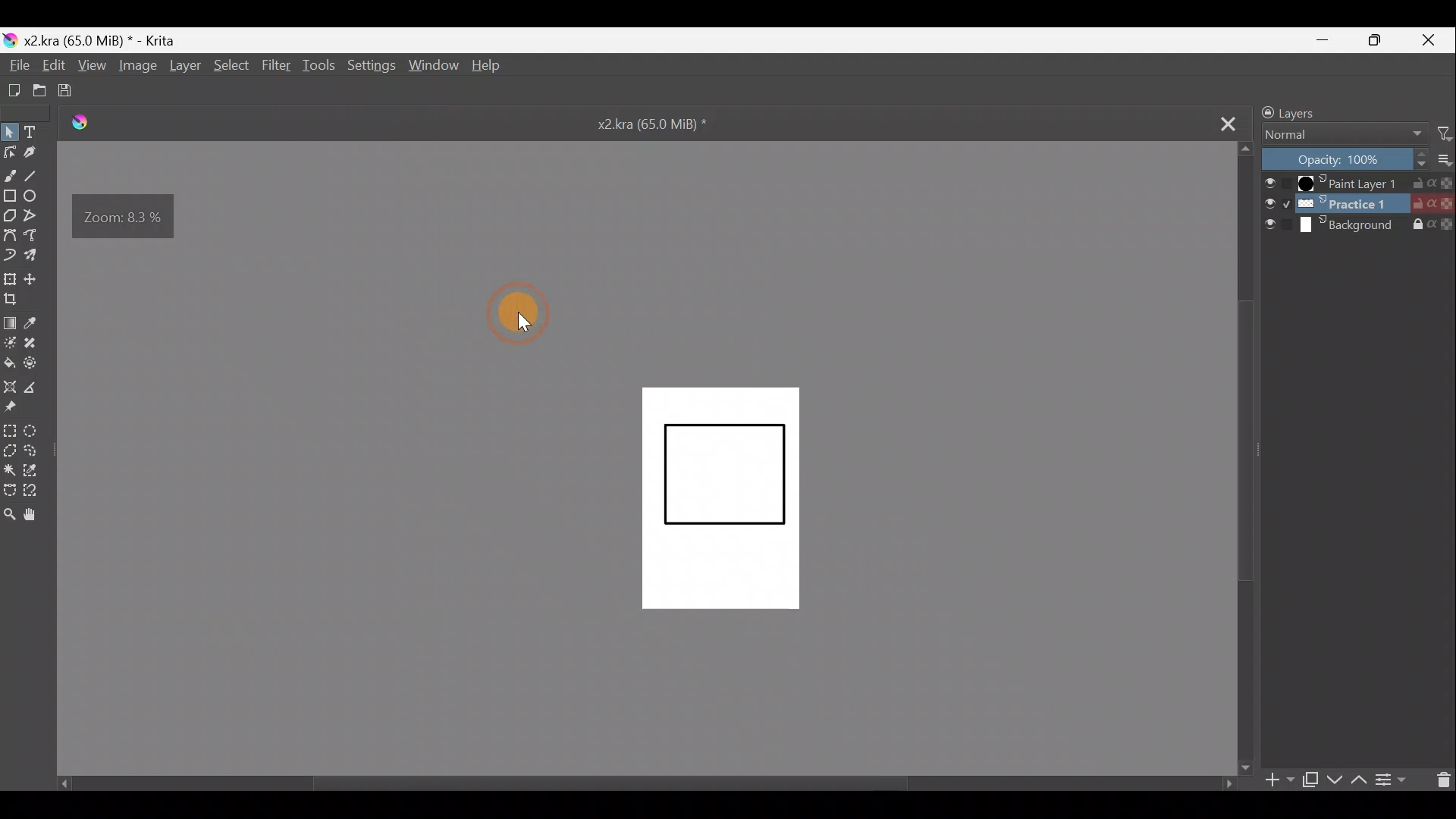 This screenshot has width=1456, height=819. I want to click on Close tab, so click(1217, 122).